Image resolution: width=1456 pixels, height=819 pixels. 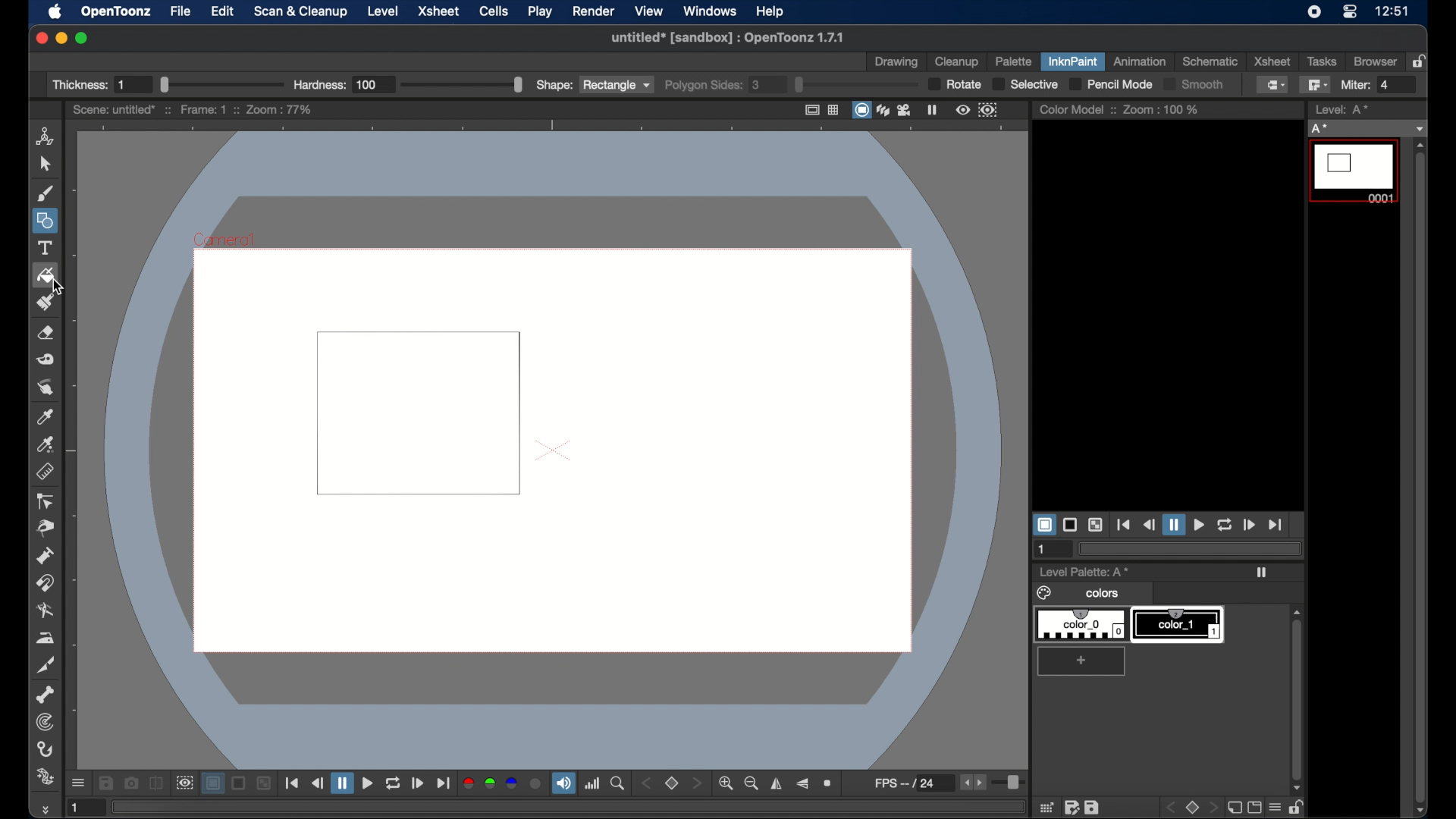 What do you see at coordinates (802, 784) in the screenshot?
I see `flip vertically` at bounding box center [802, 784].